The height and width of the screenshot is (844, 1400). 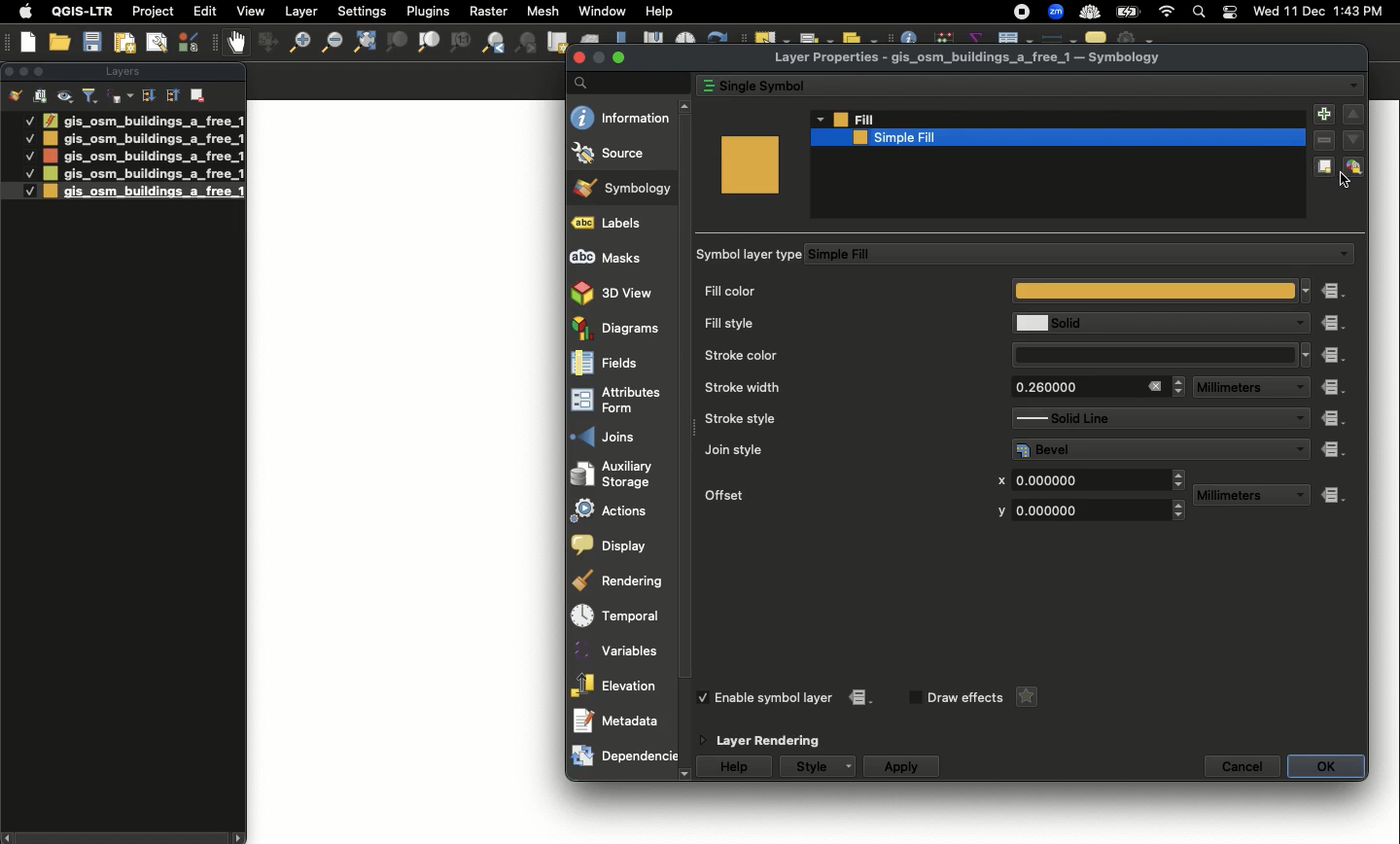 I want to click on Lock, so click(x=1357, y=166).